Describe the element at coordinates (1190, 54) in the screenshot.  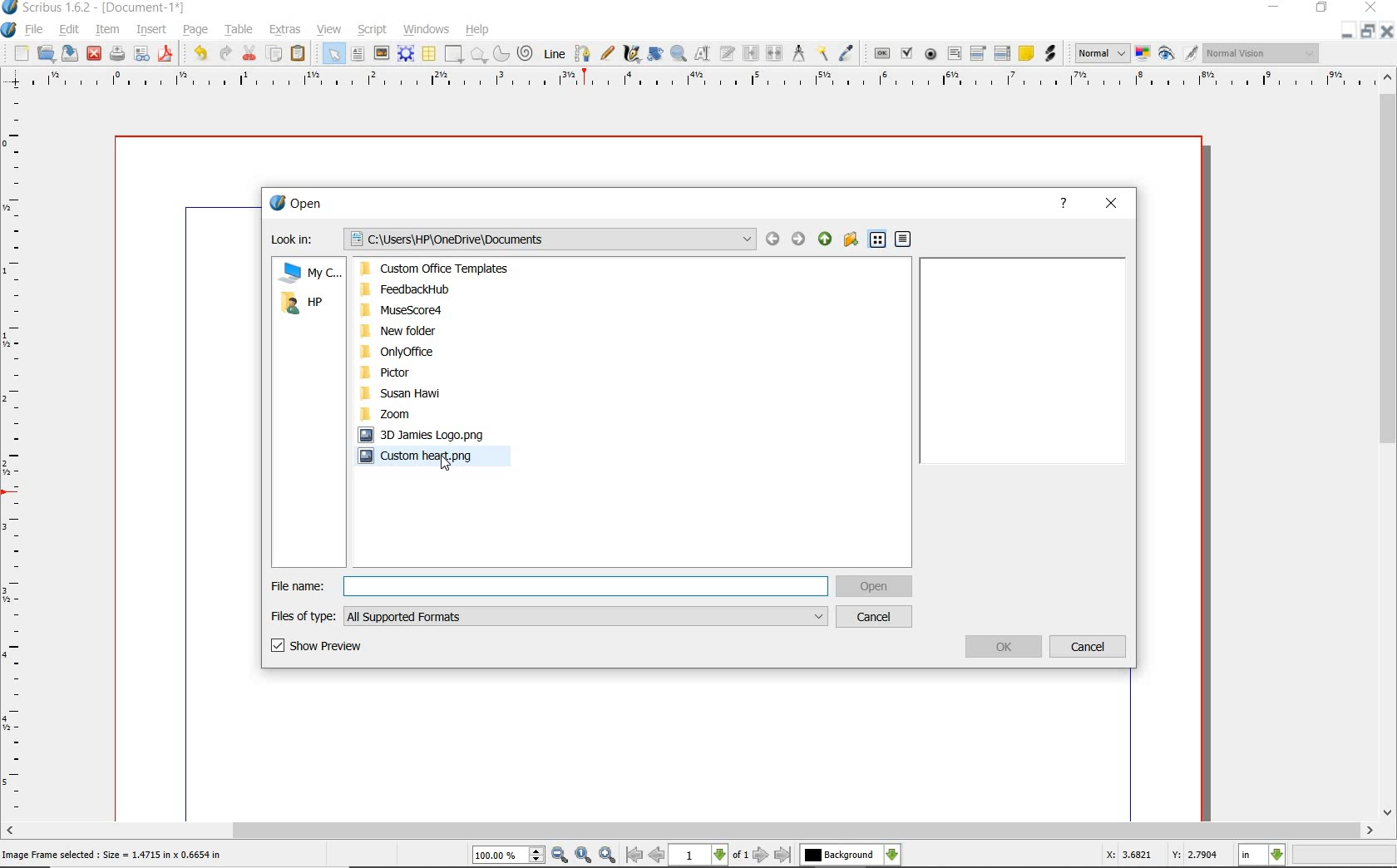
I see `edit in preview mode` at that location.